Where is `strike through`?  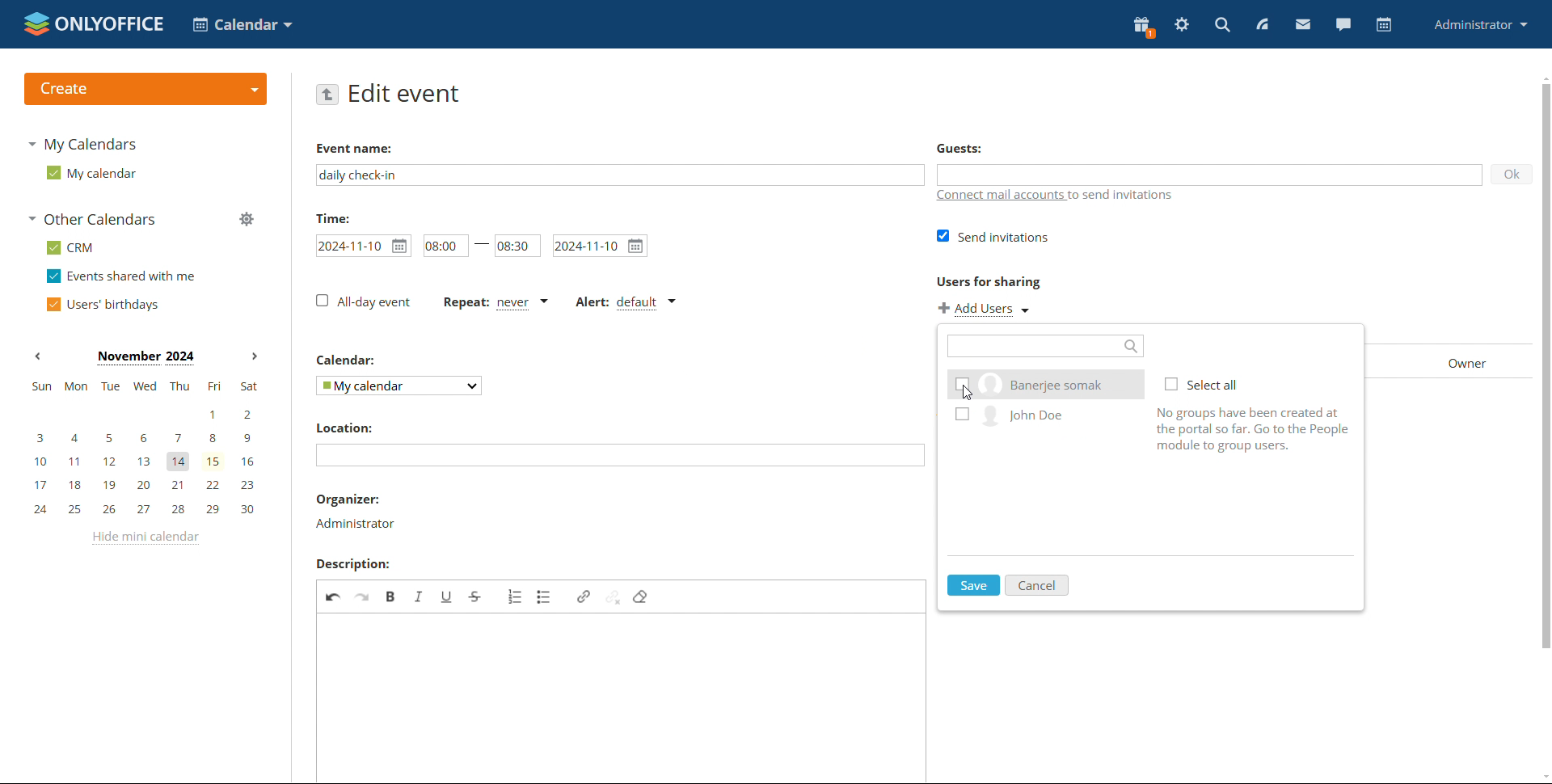
strike through is located at coordinates (476, 596).